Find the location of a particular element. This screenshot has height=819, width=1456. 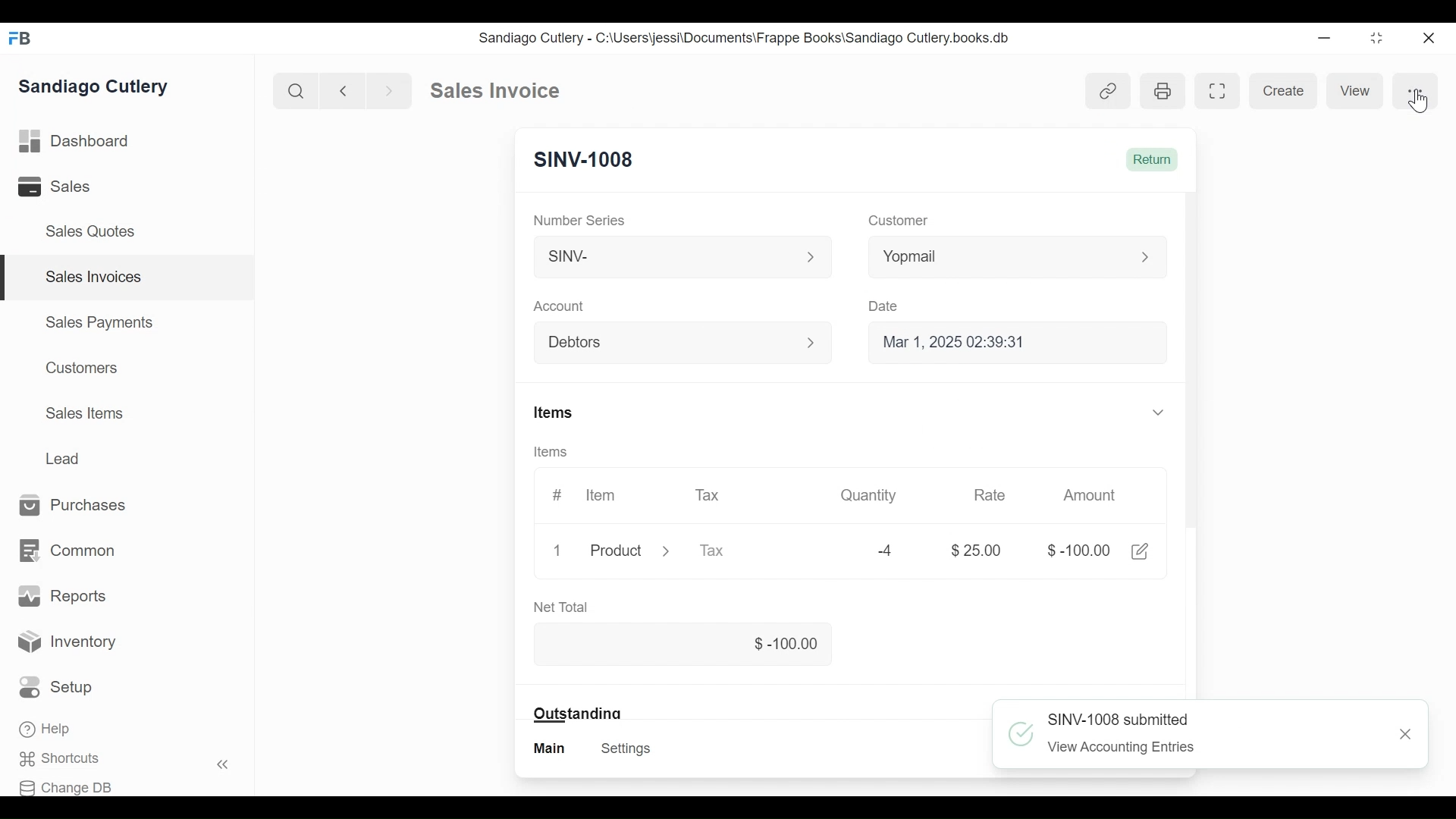

$-100.00 is located at coordinates (1080, 551).